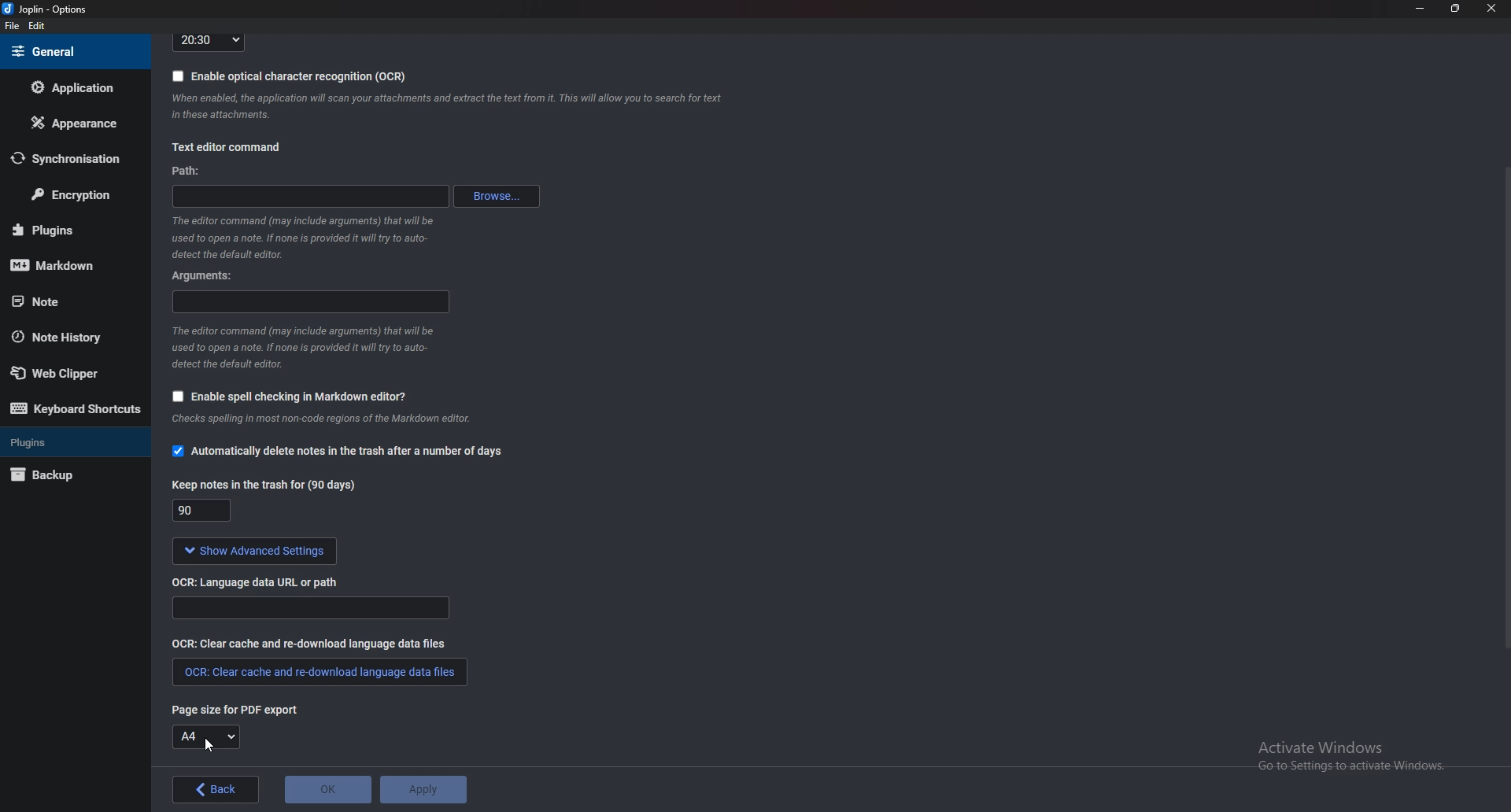 Image resolution: width=1511 pixels, height=812 pixels. What do you see at coordinates (319, 423) in the screenshot?
I see `Info on spell checking` at bounding box center [319, 423].